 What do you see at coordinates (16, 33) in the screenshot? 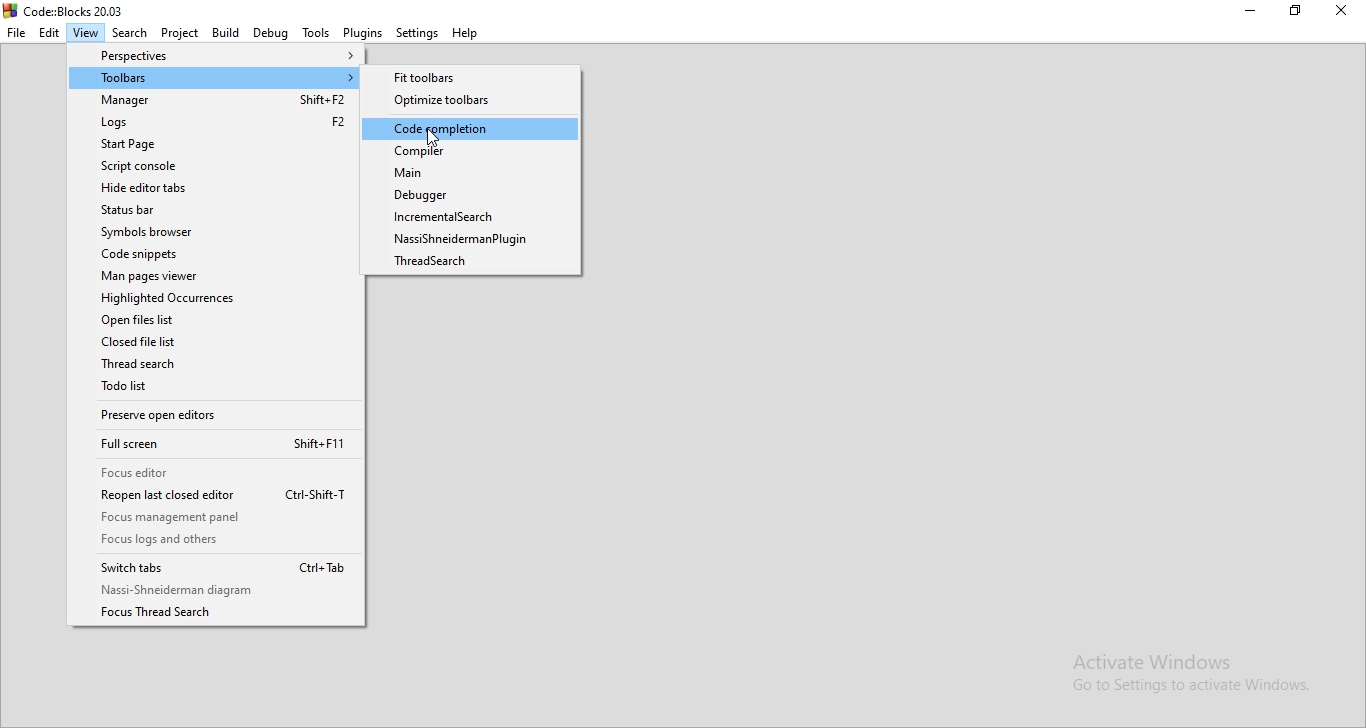
I see `File` at bounding box center [16, 33].